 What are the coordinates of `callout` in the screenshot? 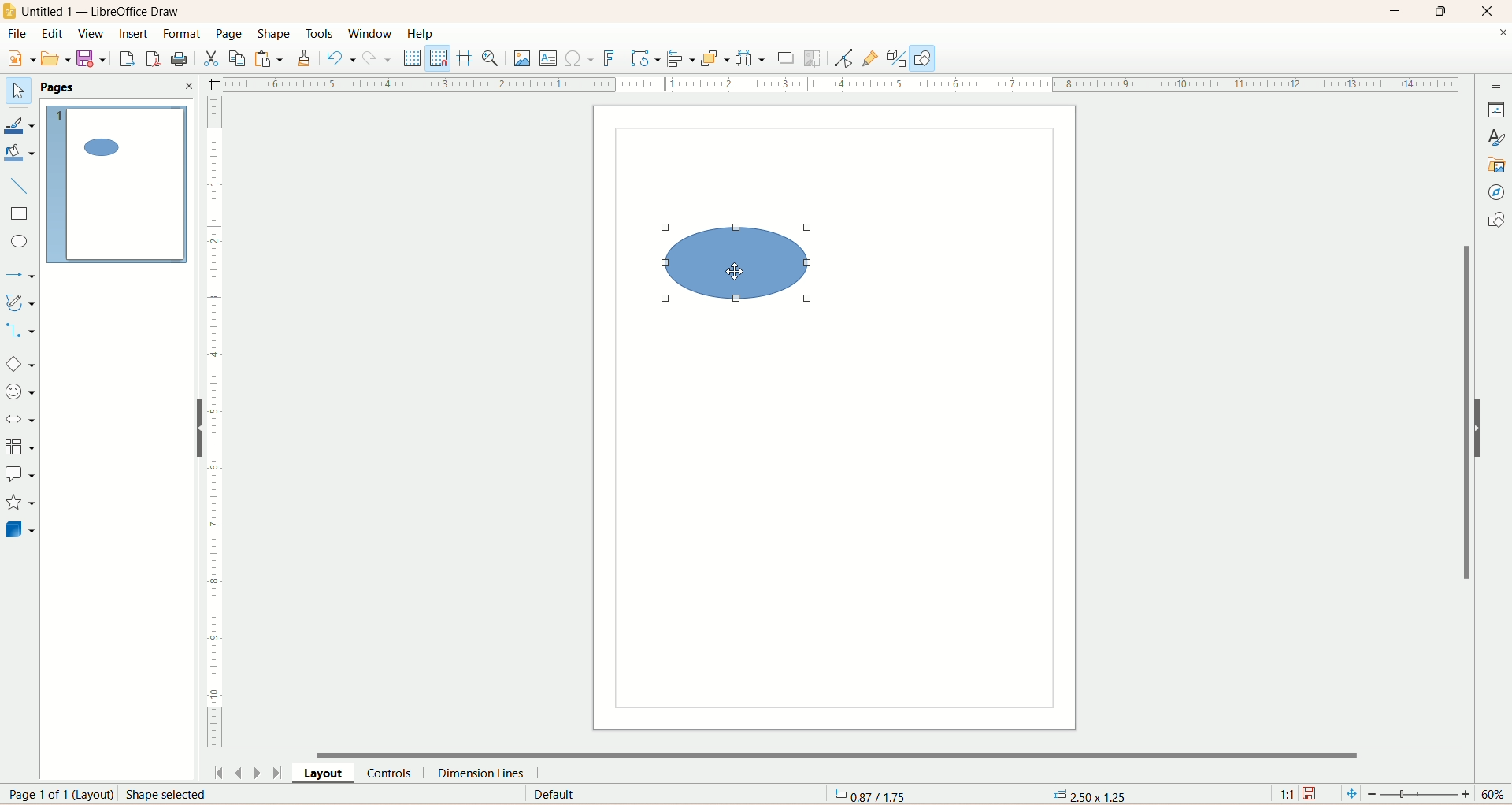 It's located at (19, 475).